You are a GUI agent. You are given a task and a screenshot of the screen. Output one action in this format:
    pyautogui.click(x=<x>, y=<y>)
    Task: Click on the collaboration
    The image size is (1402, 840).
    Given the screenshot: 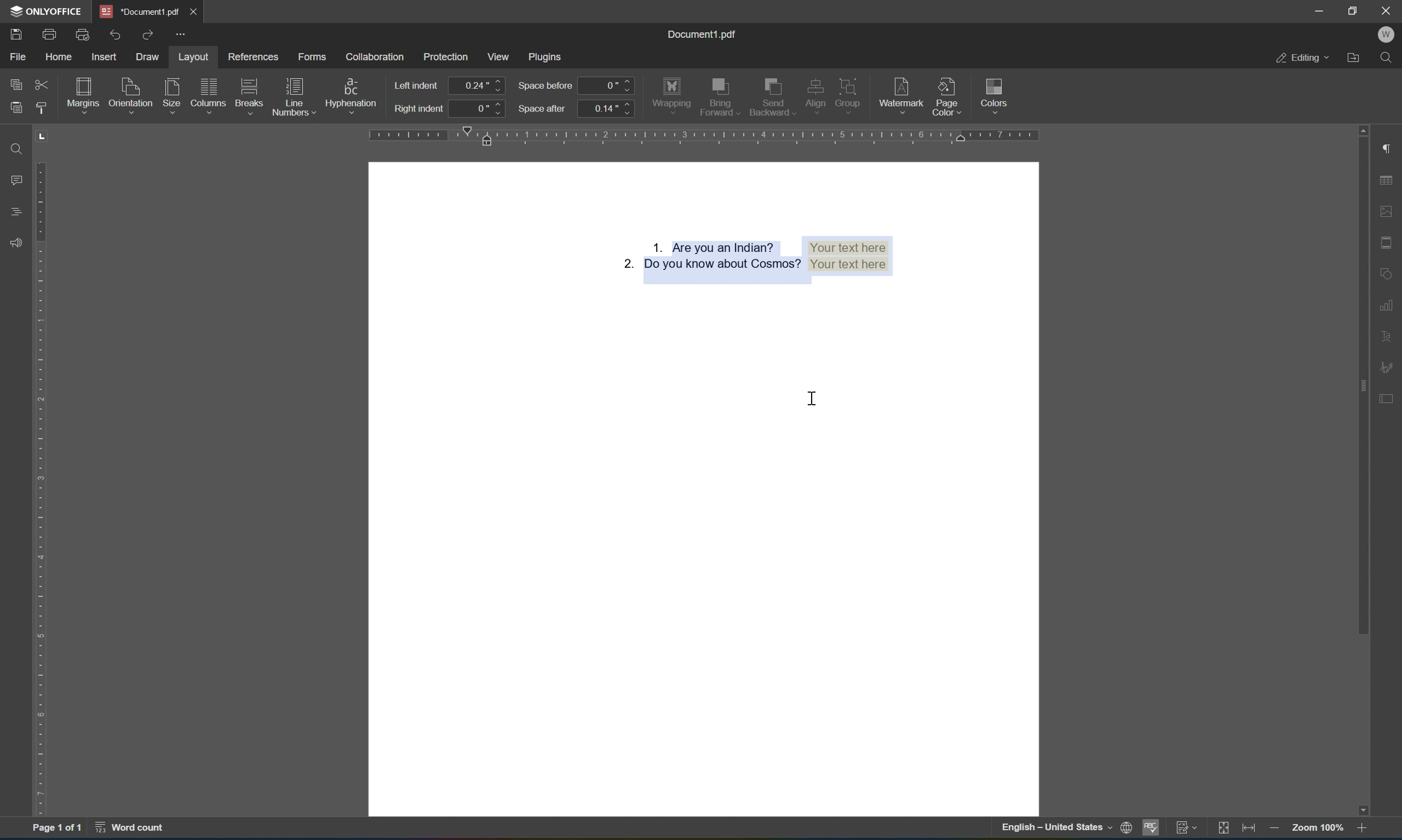 What is the action you would take?
    pyautogui.click(x=378, y=56)
    